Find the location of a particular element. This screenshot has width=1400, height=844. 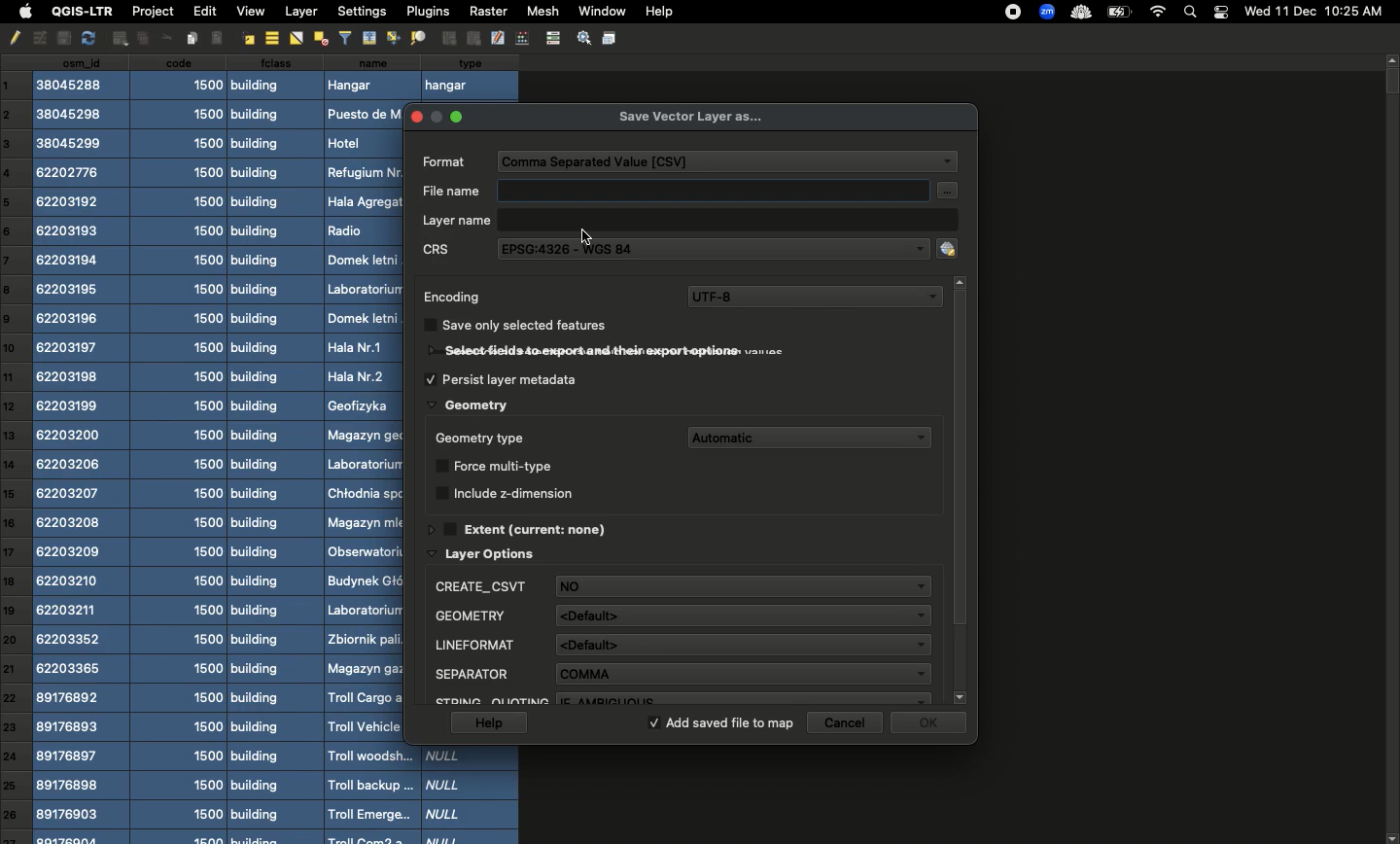

Save vector layer as is located at coordinates (693, 117).